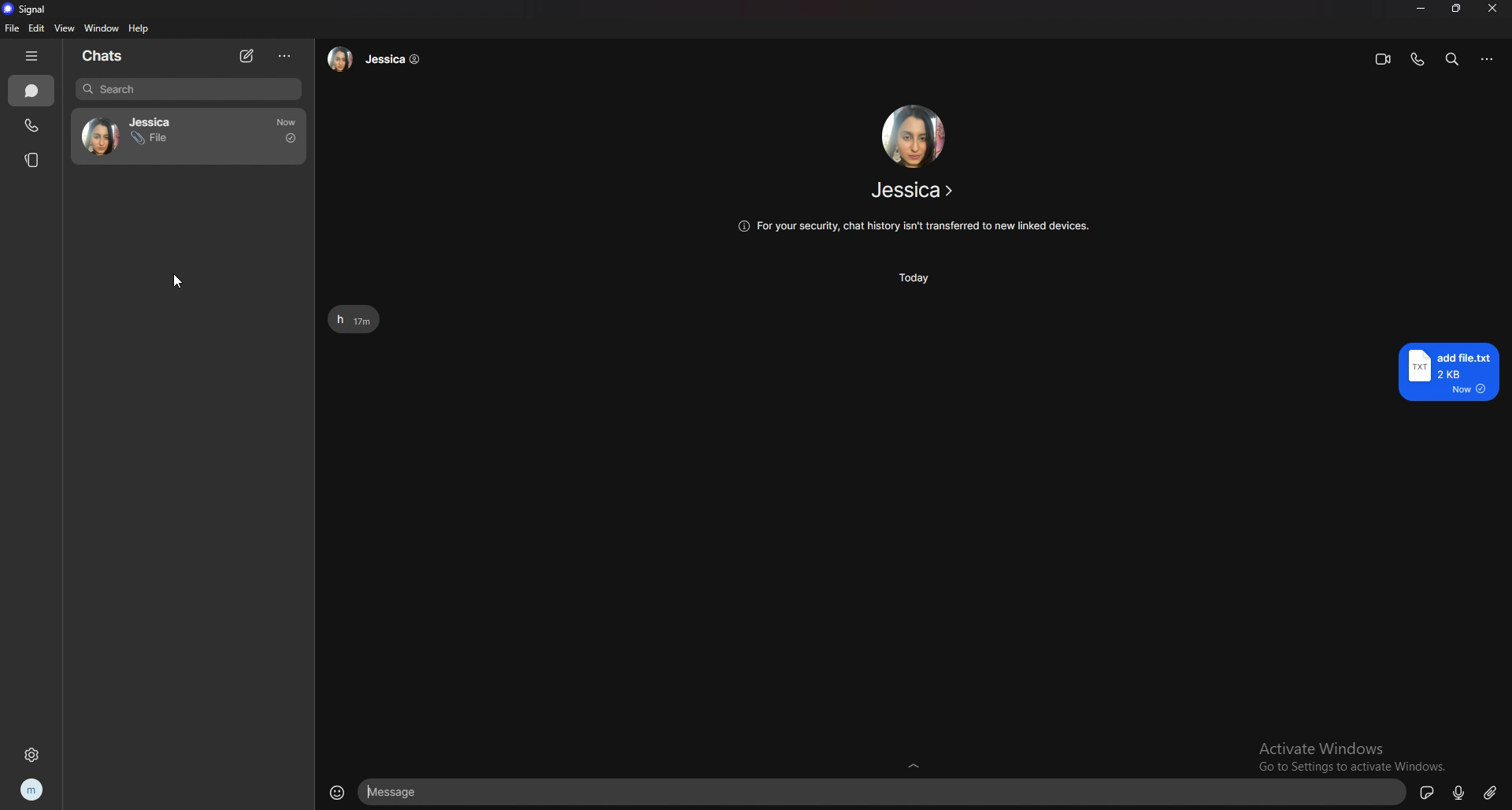 The width and height of the screenshot is (1512, 810). Describe the element at coordinates (149, 120) in the screenshot. I see `Jessica` at that location.